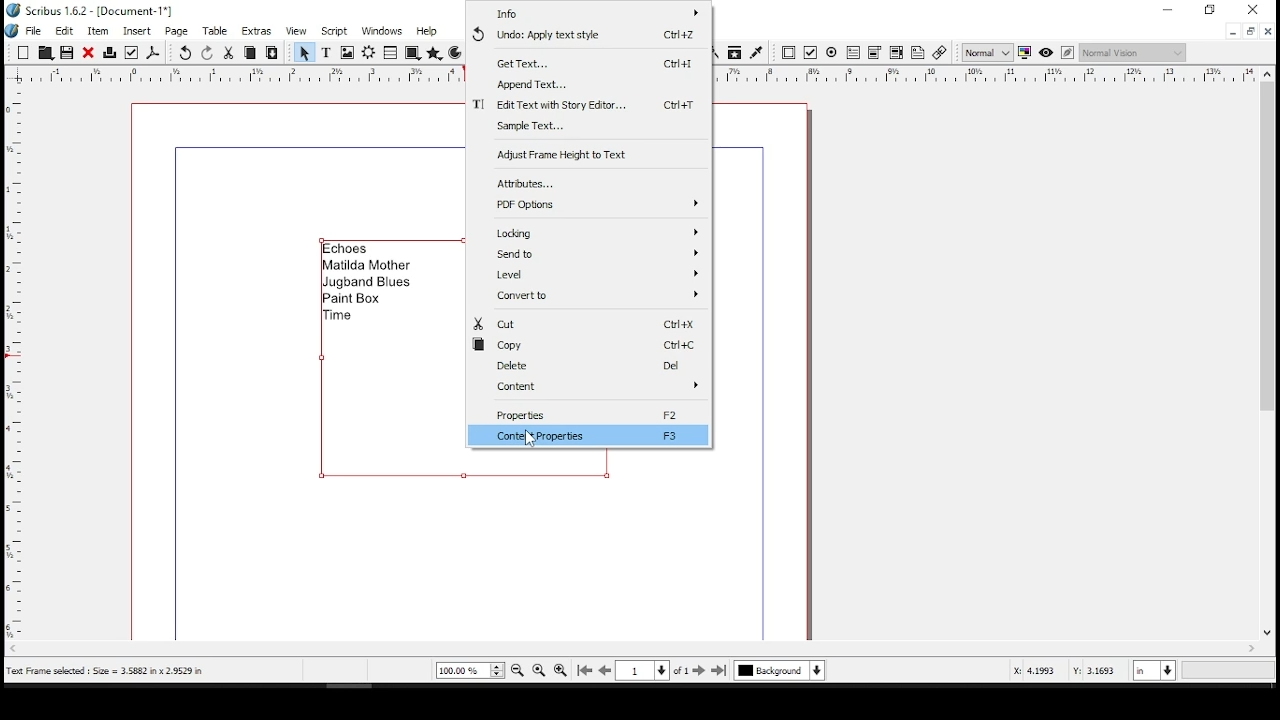 The image size is (1280, 720). What do you see at coordinates (326, 53) in the screenshot?
I see `text frame` at bounding box center [326, 53].